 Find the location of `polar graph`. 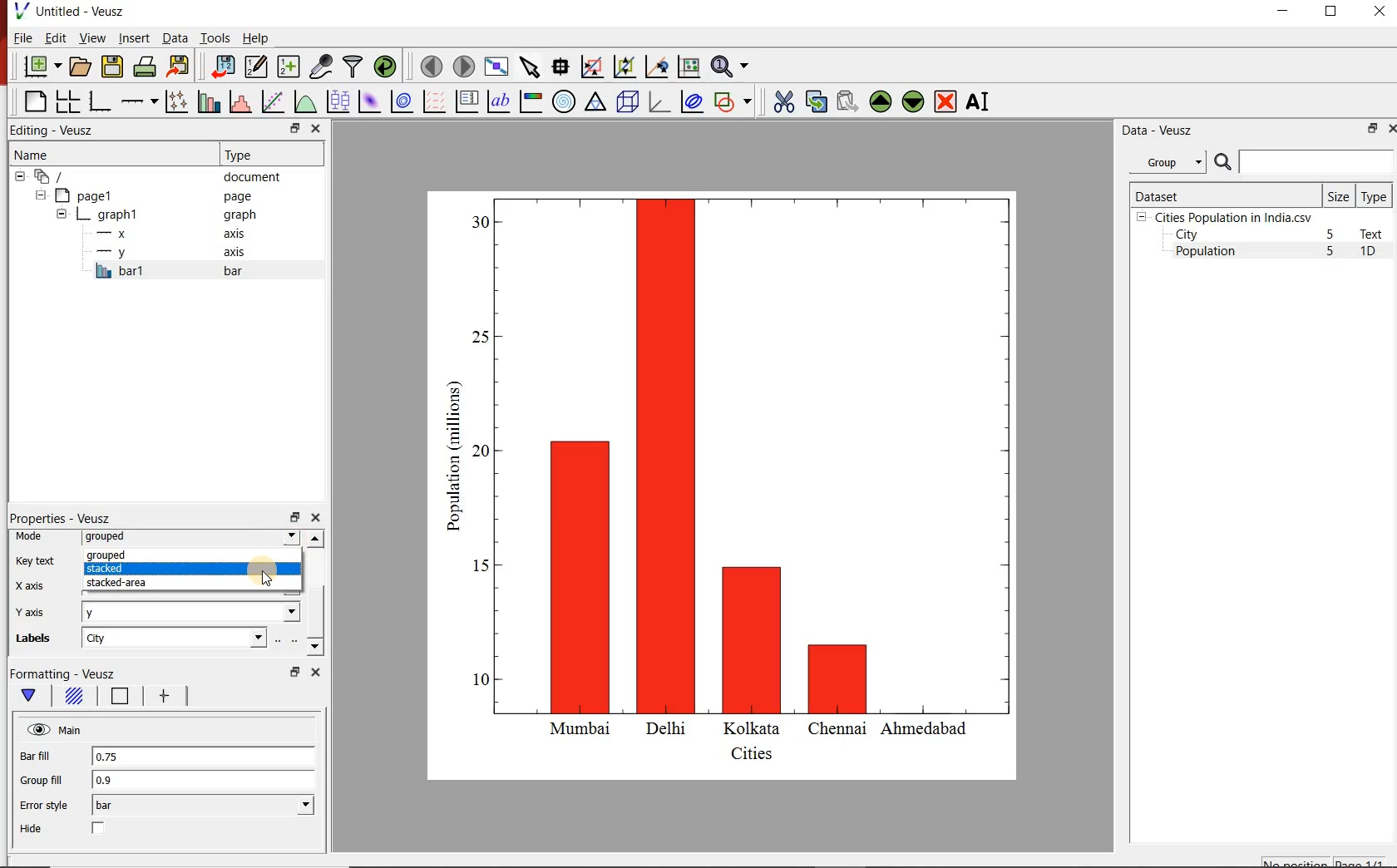

polar graph is located at coordinates (564, 101).